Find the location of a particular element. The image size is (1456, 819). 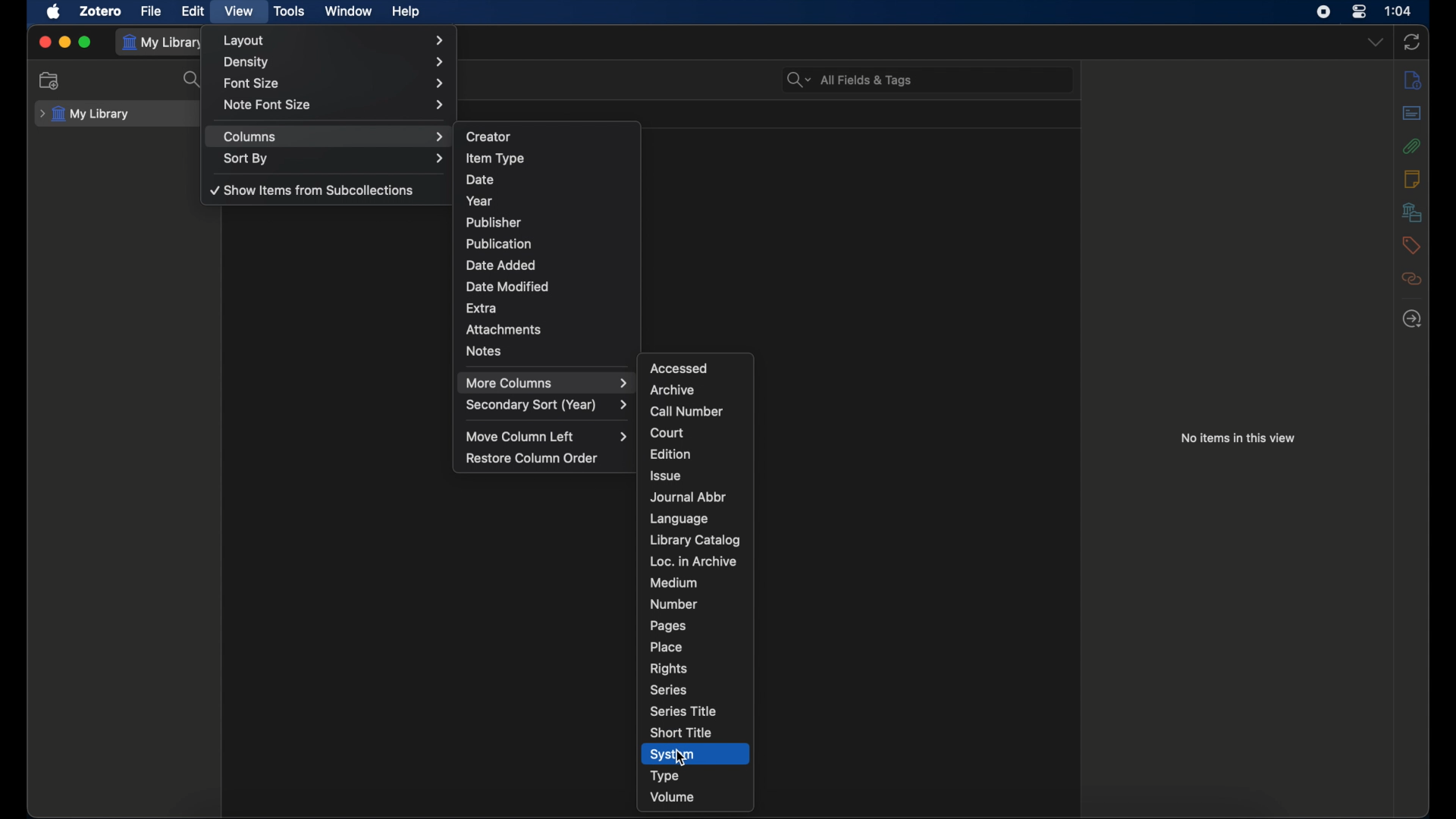

sync is located at coordinates (1412, 42).